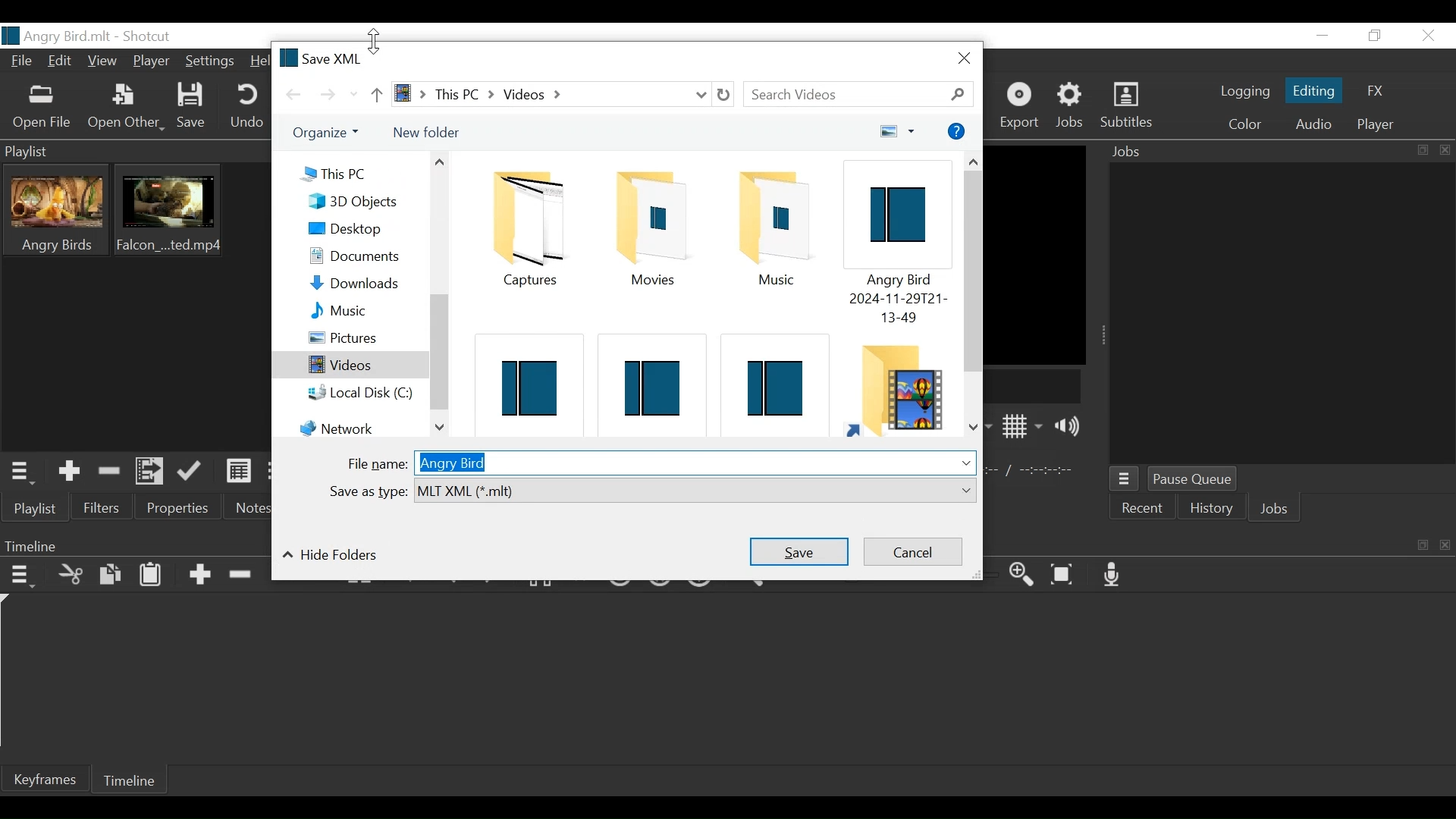 The width and height of the screenshot is (1456, 819). What do you see at coordinates (373, 40) in the screenshot?
I see `vertical resize cursor` at bounding box center [373, 40].